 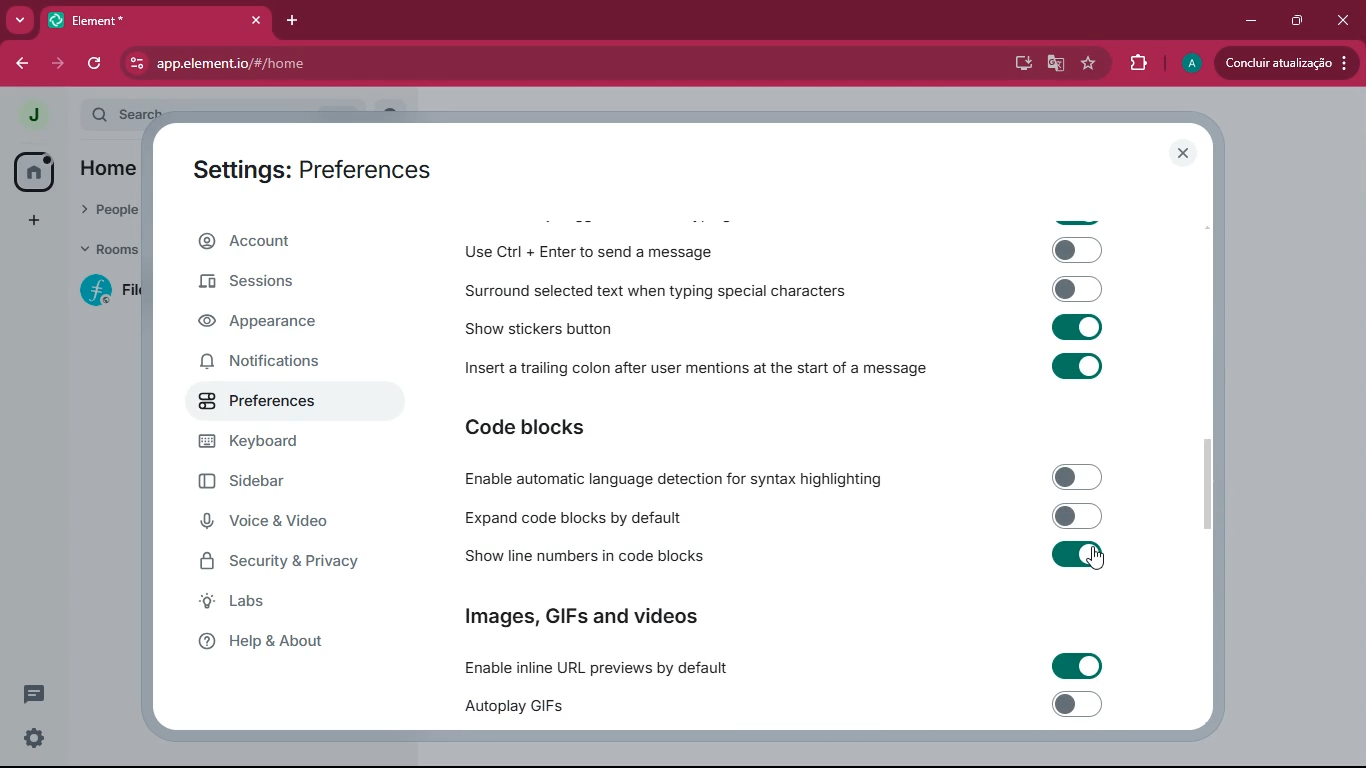 I want to click on close, so click(x=1185, y=154).